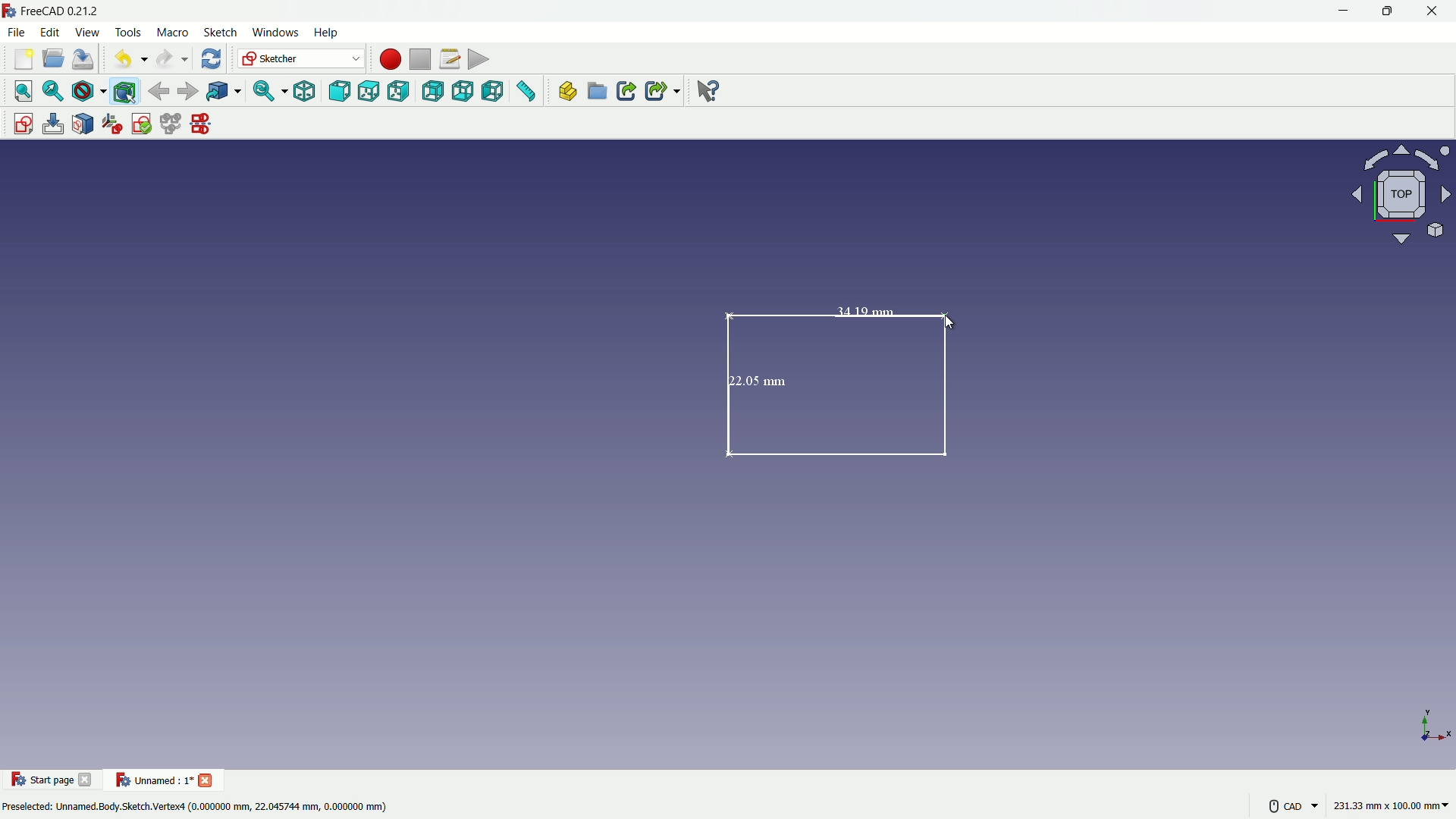 The width and height of the screenshot is (1456, 819). I want to click on mirror sketches, so click(200, 125).